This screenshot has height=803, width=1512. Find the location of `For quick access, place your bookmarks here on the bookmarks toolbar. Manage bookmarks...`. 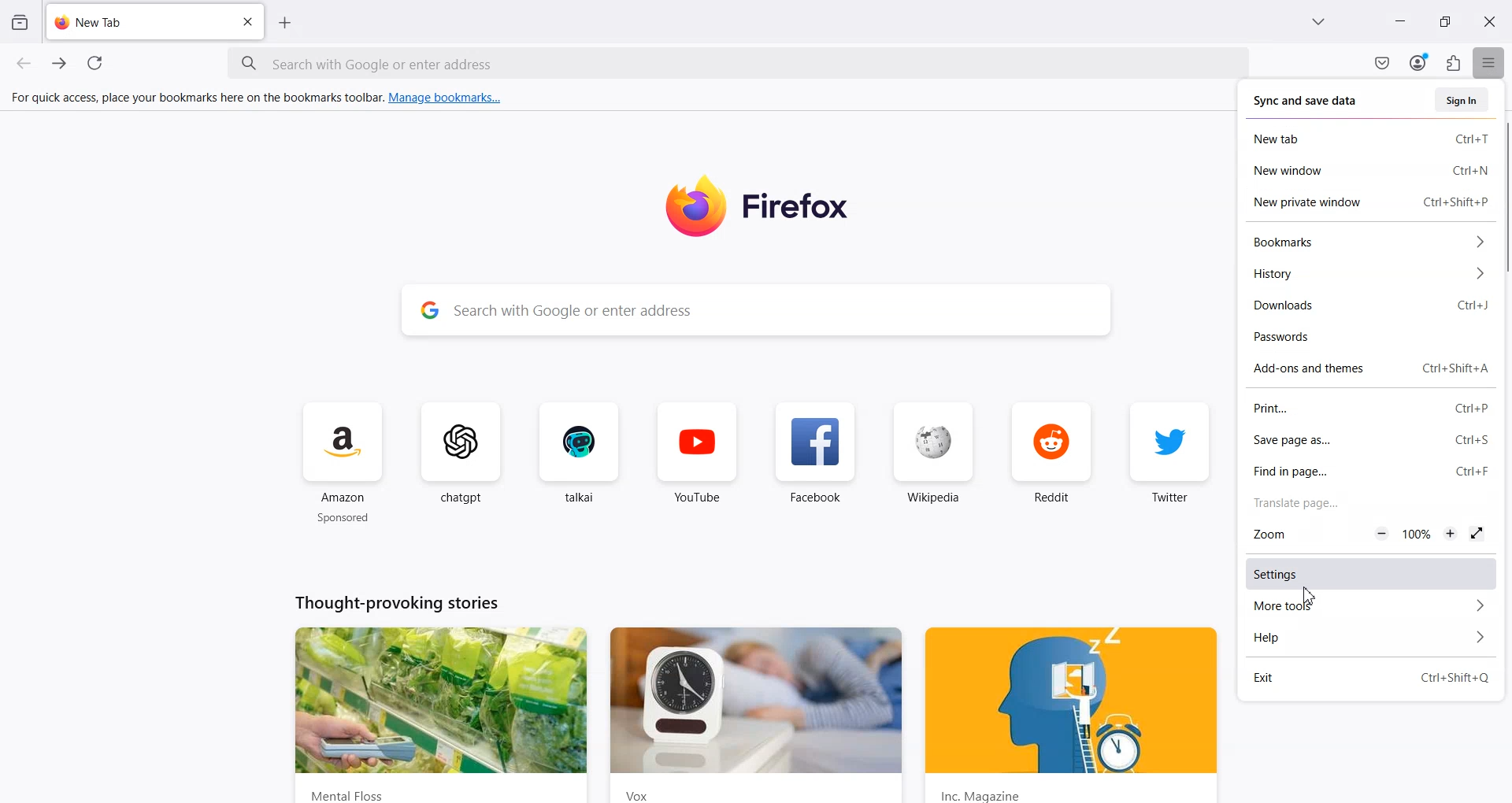

For quick access, place your bookmarks here on the bookmarks toolbar. Manage bookmarks... is located at coordinates (258, 98).